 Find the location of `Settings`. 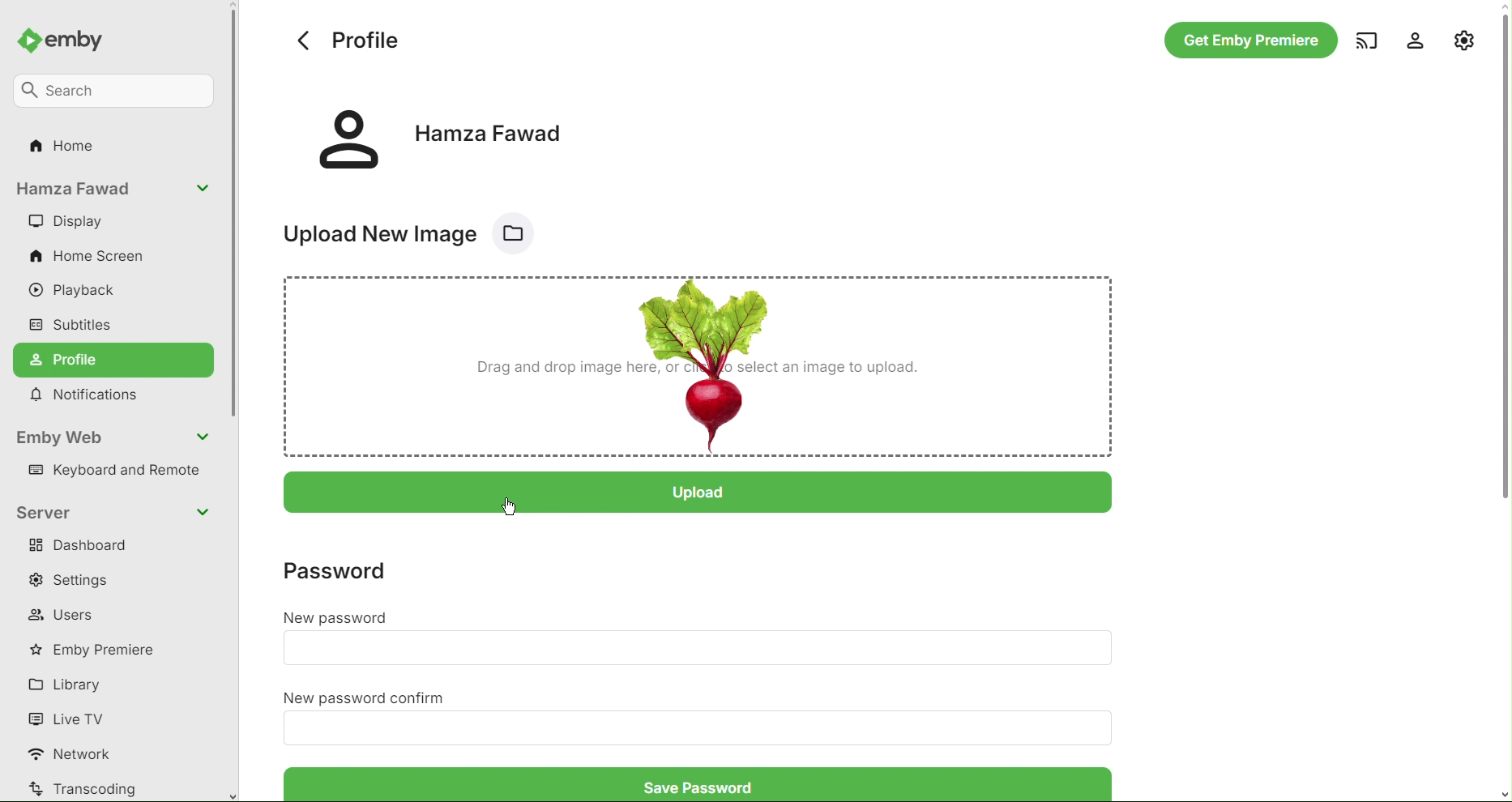

Settings is located at coordinates (1464, 38).